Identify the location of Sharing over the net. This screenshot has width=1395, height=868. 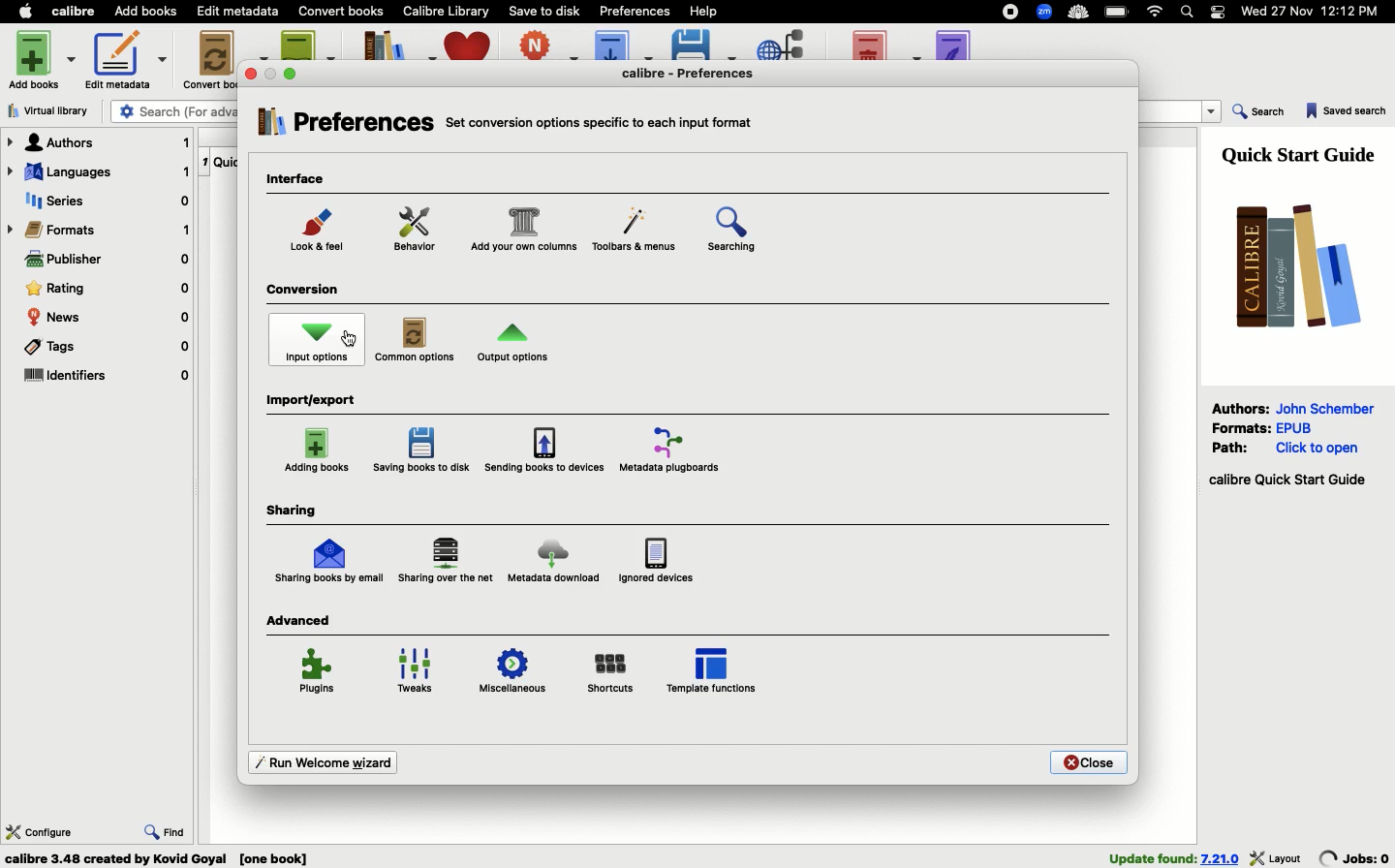
(448, 561).